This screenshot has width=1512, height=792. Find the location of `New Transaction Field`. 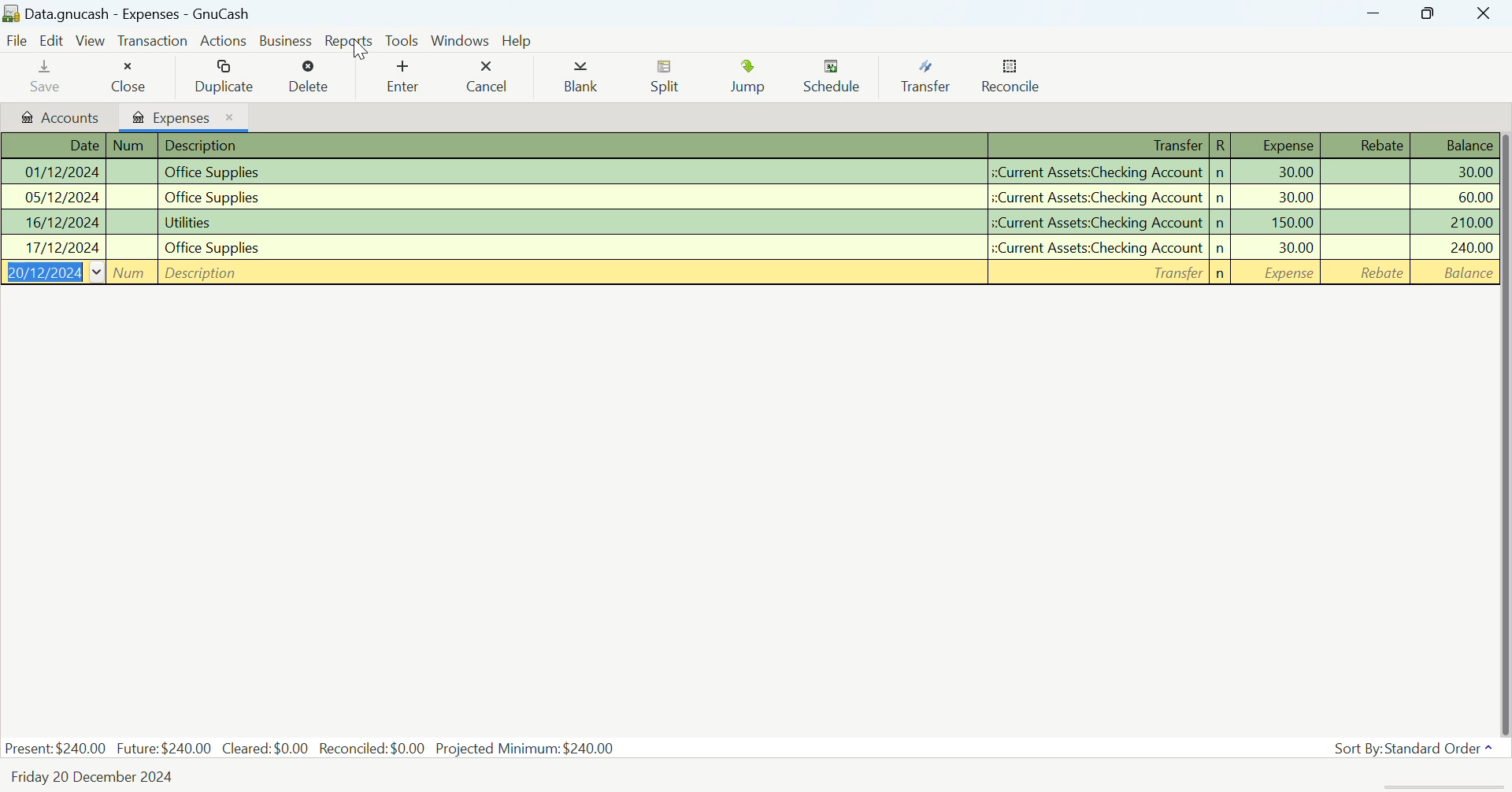

New Transaction Field is located at coordinates (748, 274).